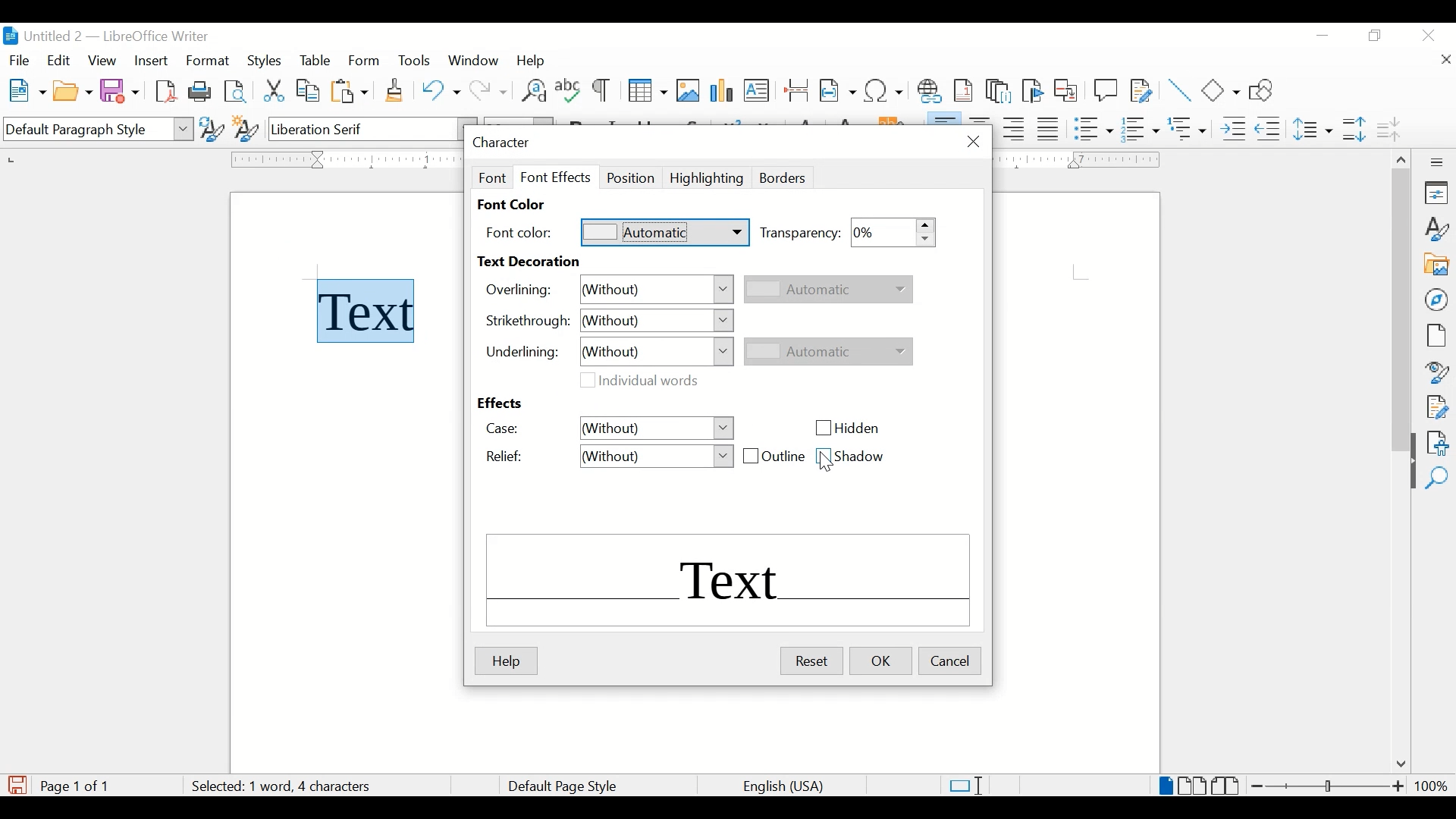 The image size is (1456, 819). I want to click on check spelling, so click(569, 89).